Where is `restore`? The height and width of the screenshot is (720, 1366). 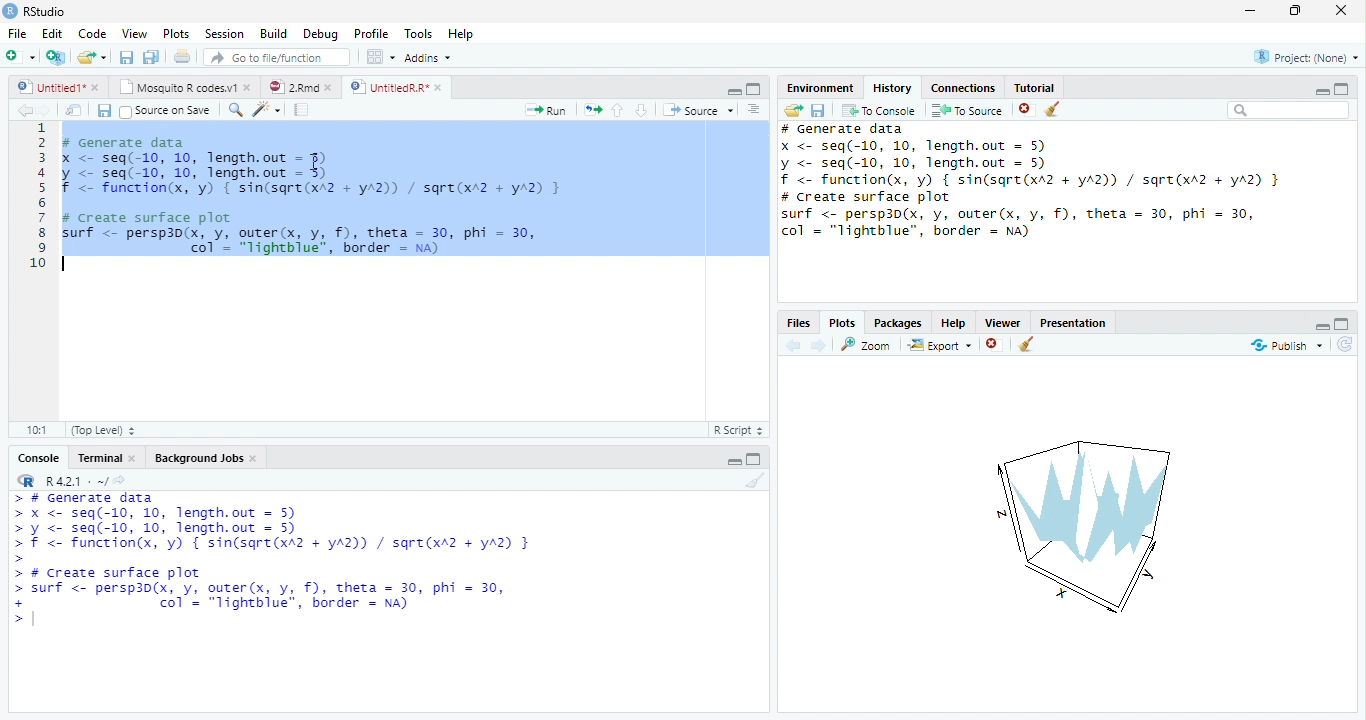 restore is located at coordinates (1295, 10).